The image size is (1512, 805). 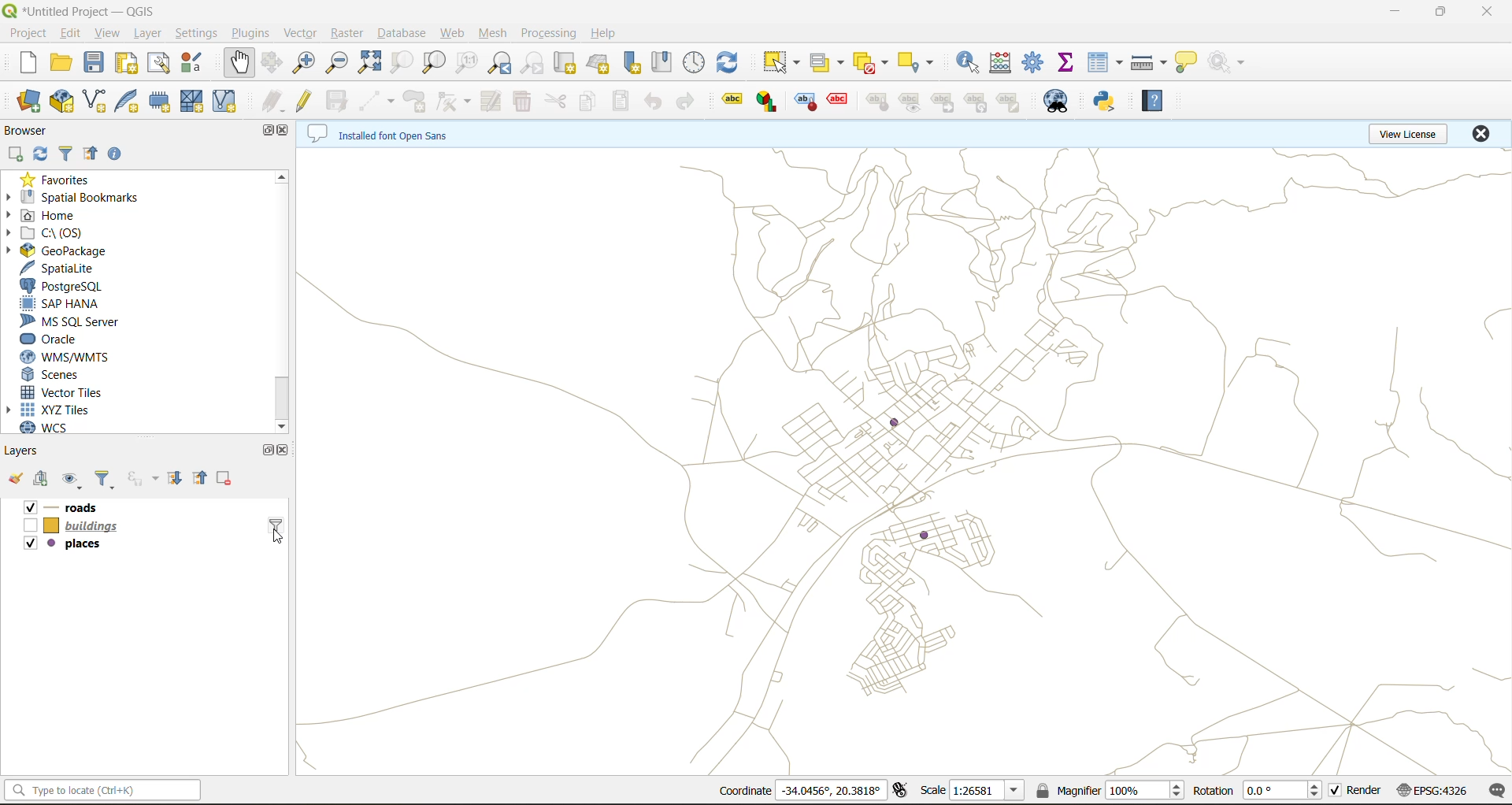 I want to click on project, so click(x=28, y=35).